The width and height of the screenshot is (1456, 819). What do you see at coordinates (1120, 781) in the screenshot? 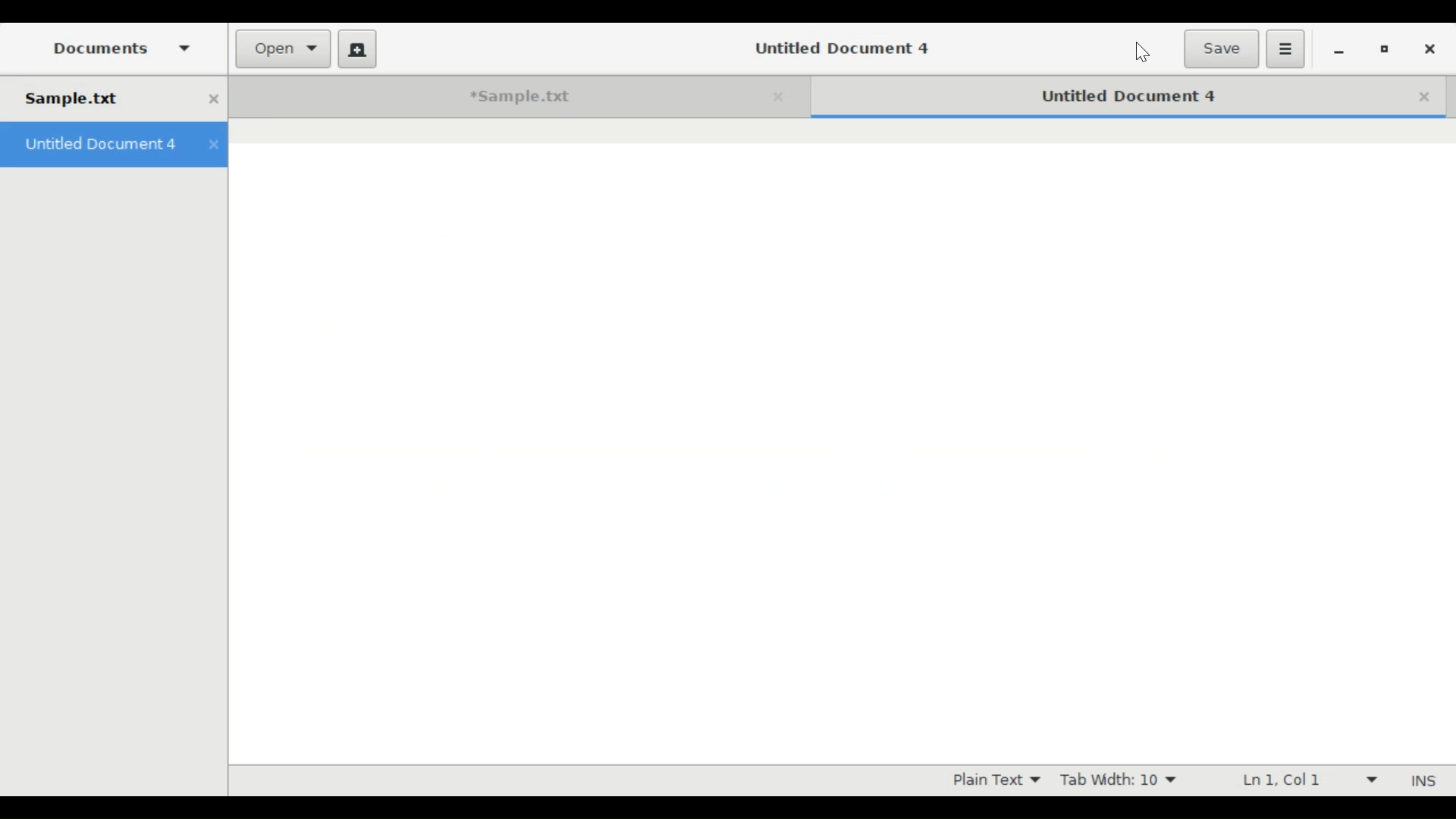
I see `Tab Width: 10` at bounding box center [1120, 781].